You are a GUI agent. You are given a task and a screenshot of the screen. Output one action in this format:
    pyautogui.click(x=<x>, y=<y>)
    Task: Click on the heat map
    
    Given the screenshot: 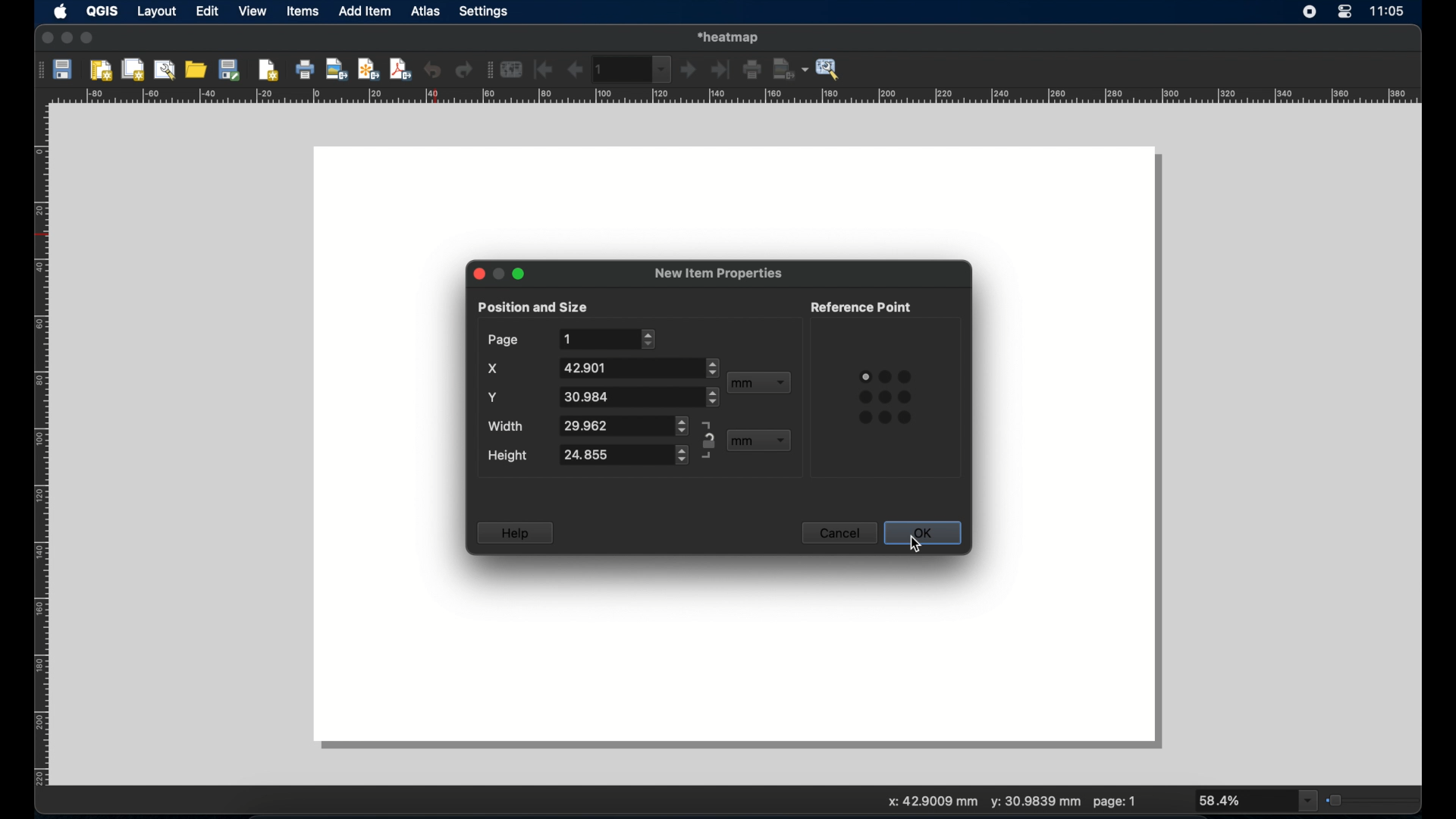 What is the action you would take?
    pyautogui.click(x=732, y=36)
    